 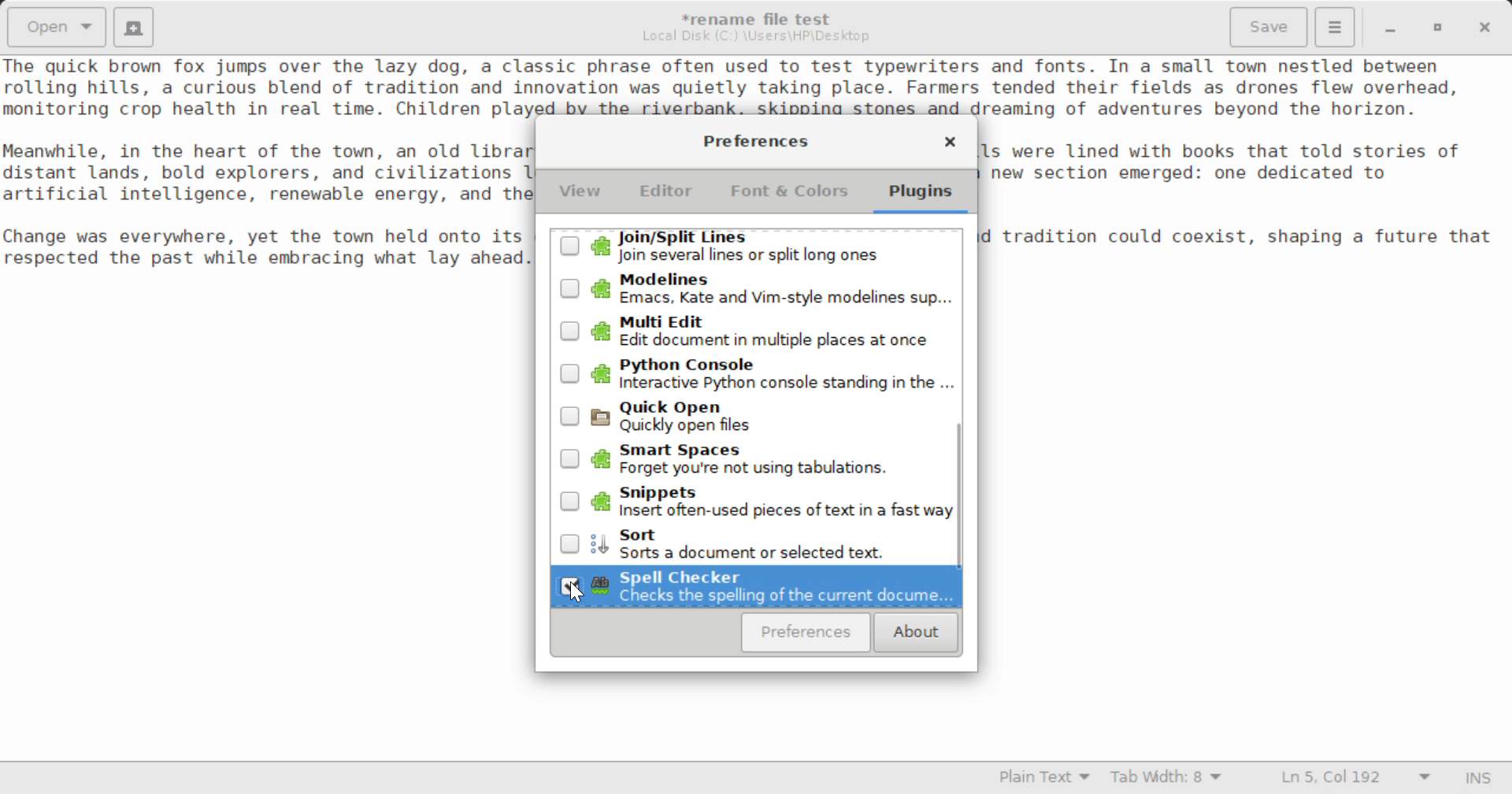 I want to click on Modelines Plugin Unselected, so click(x=754, y=290).